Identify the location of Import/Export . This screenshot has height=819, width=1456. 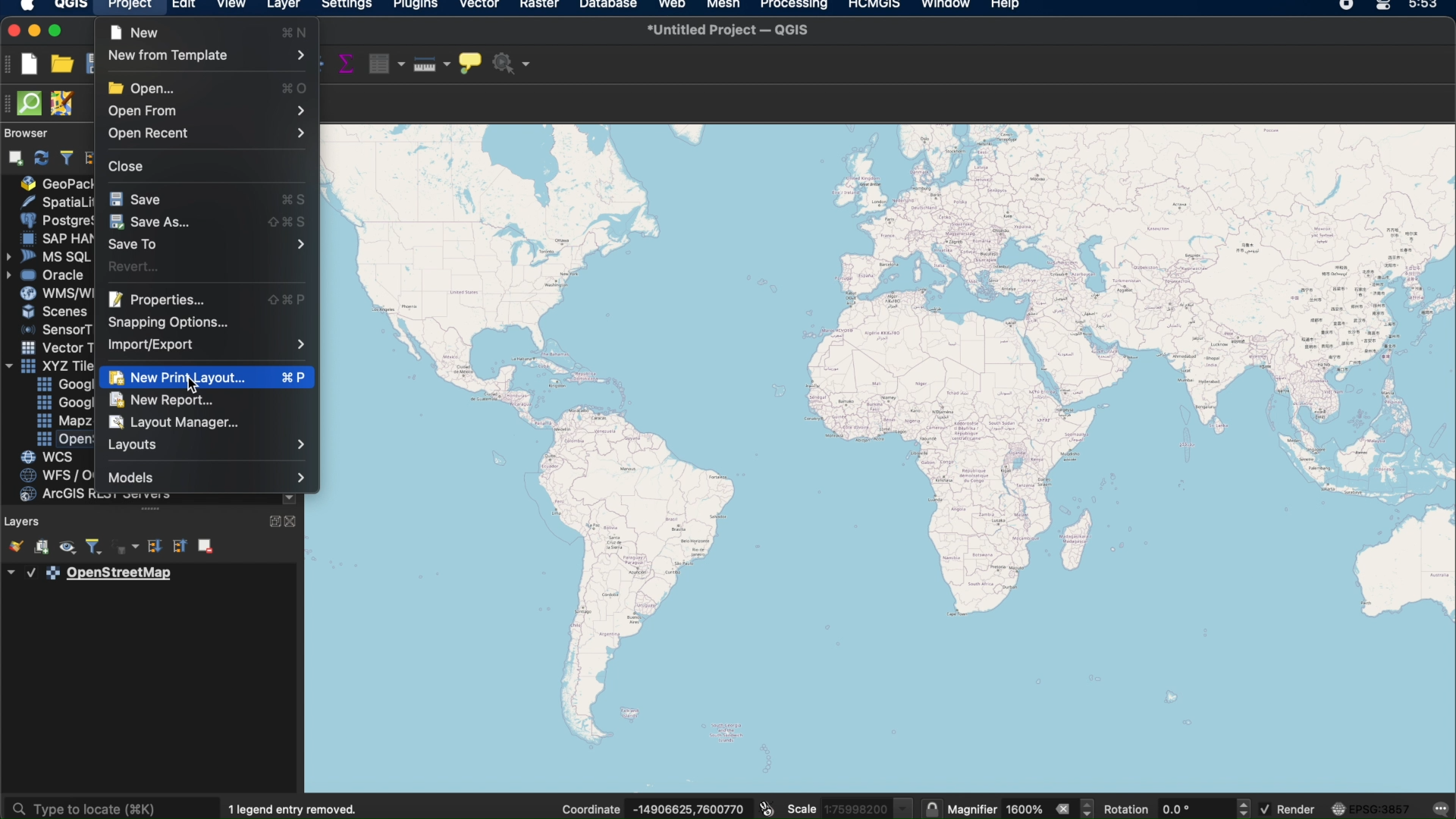
(208, 344).